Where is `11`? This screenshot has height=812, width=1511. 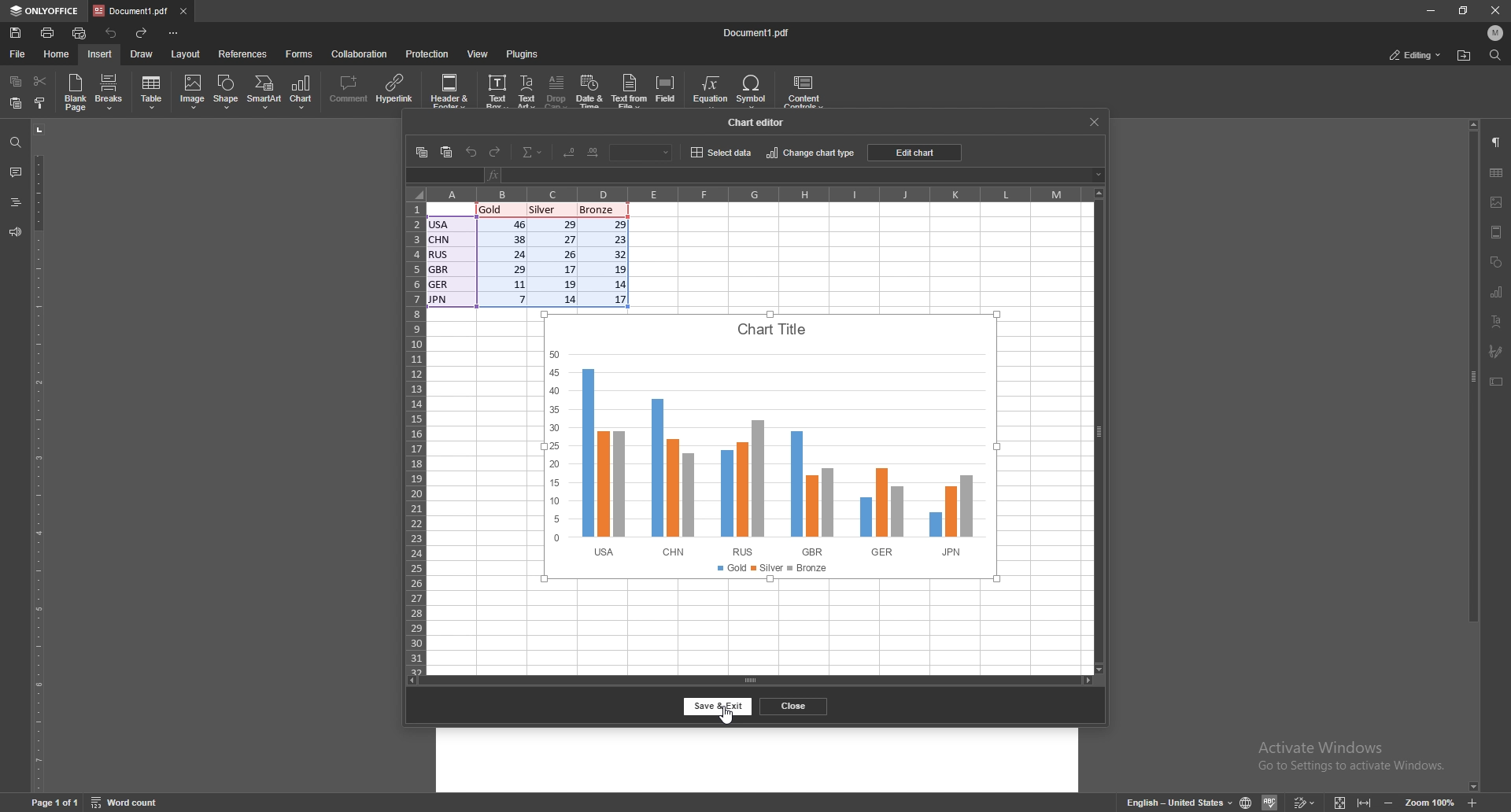
11 is located at coordinates (512, 283).